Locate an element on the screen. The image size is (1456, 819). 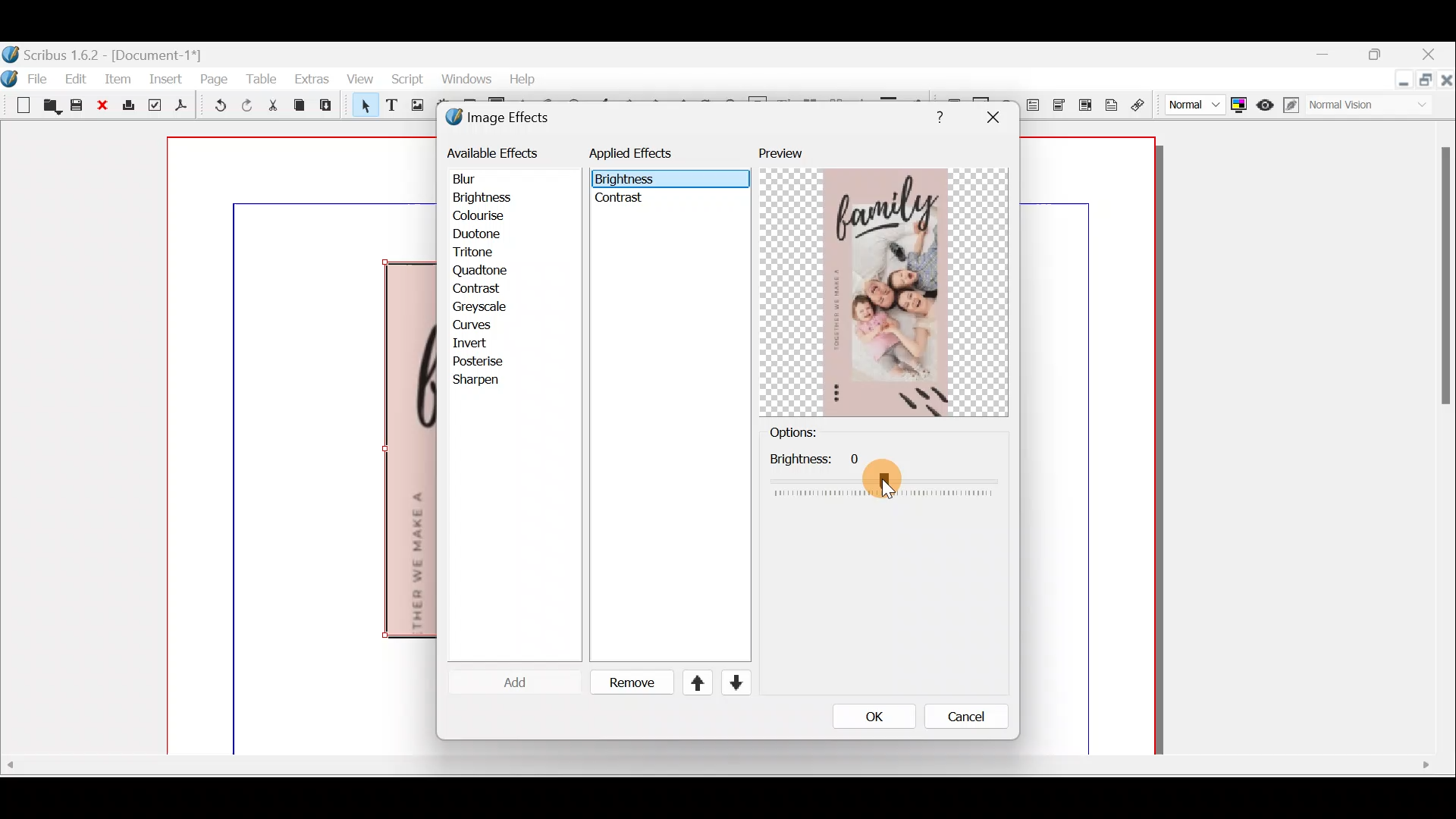
Insert is located at coordinates (167, 78).